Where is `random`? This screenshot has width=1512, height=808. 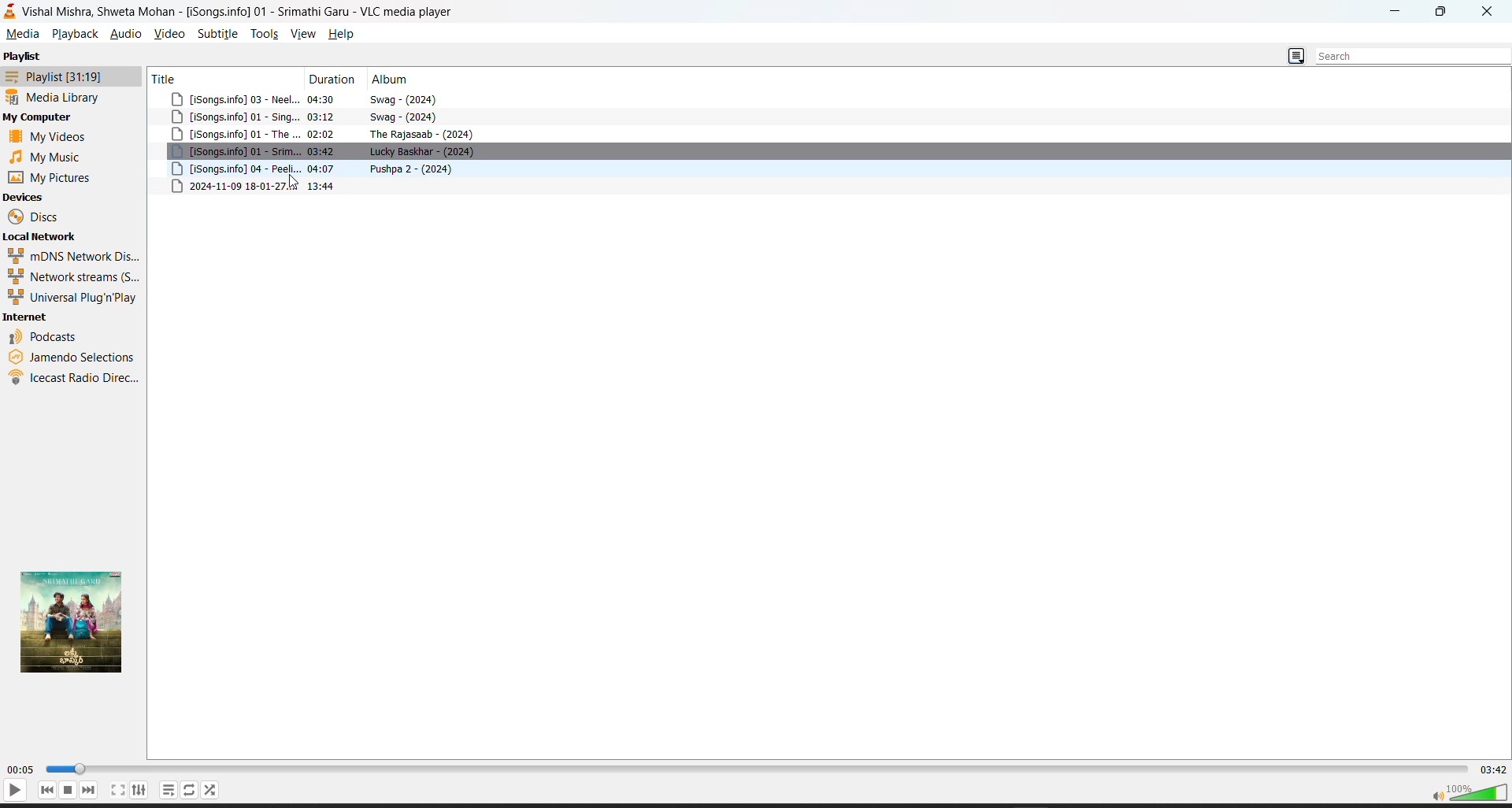
random is located at coordinates (214, 790).